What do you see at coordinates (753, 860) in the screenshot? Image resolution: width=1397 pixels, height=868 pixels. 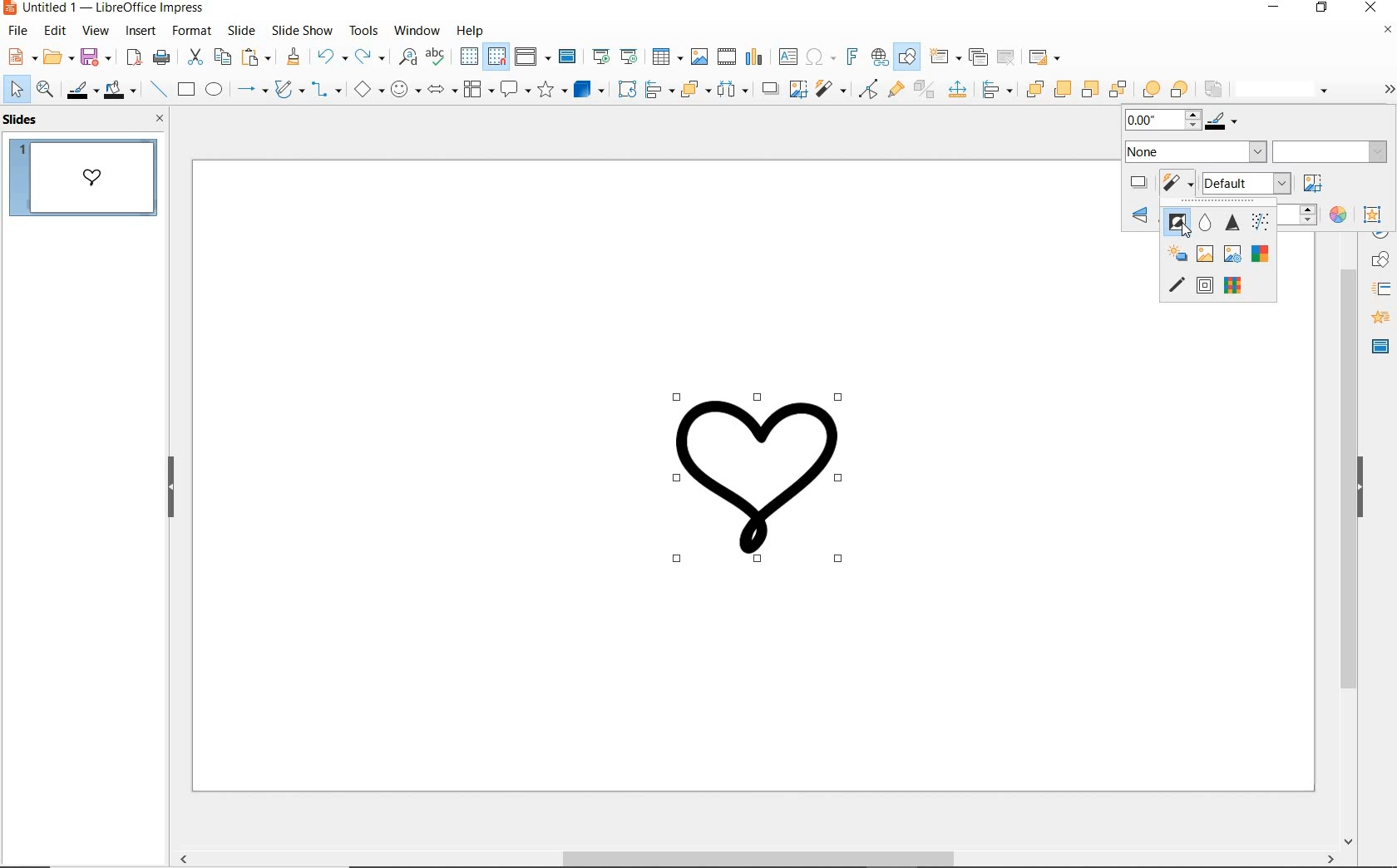 I see `SCROLLBAR` at bounding box center [753, 860].